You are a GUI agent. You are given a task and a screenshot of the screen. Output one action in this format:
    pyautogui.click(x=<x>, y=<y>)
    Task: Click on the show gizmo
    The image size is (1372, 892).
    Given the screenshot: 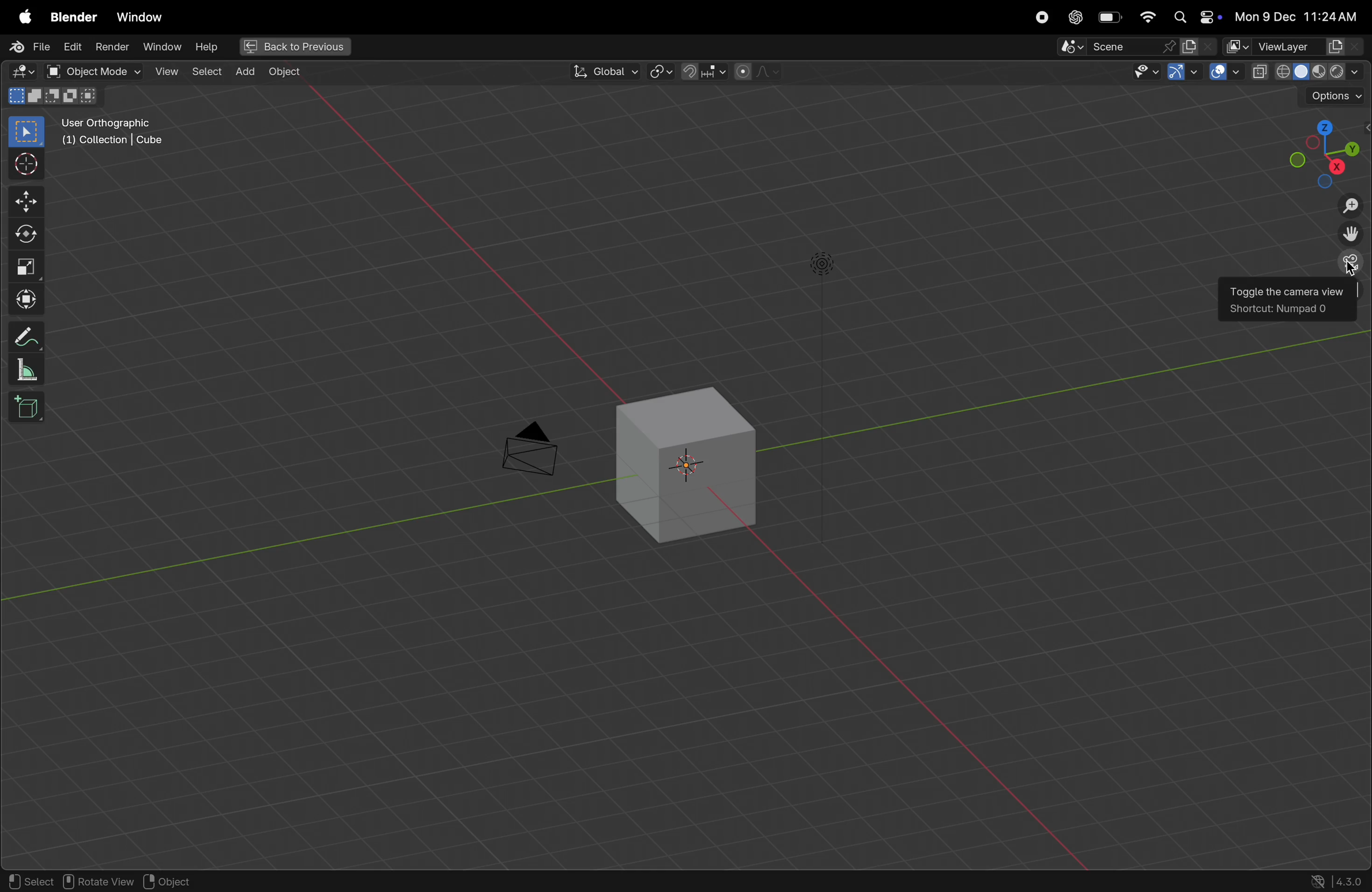 What is the action you would take?
    pyautogui.click(x=1183, y=71)
    